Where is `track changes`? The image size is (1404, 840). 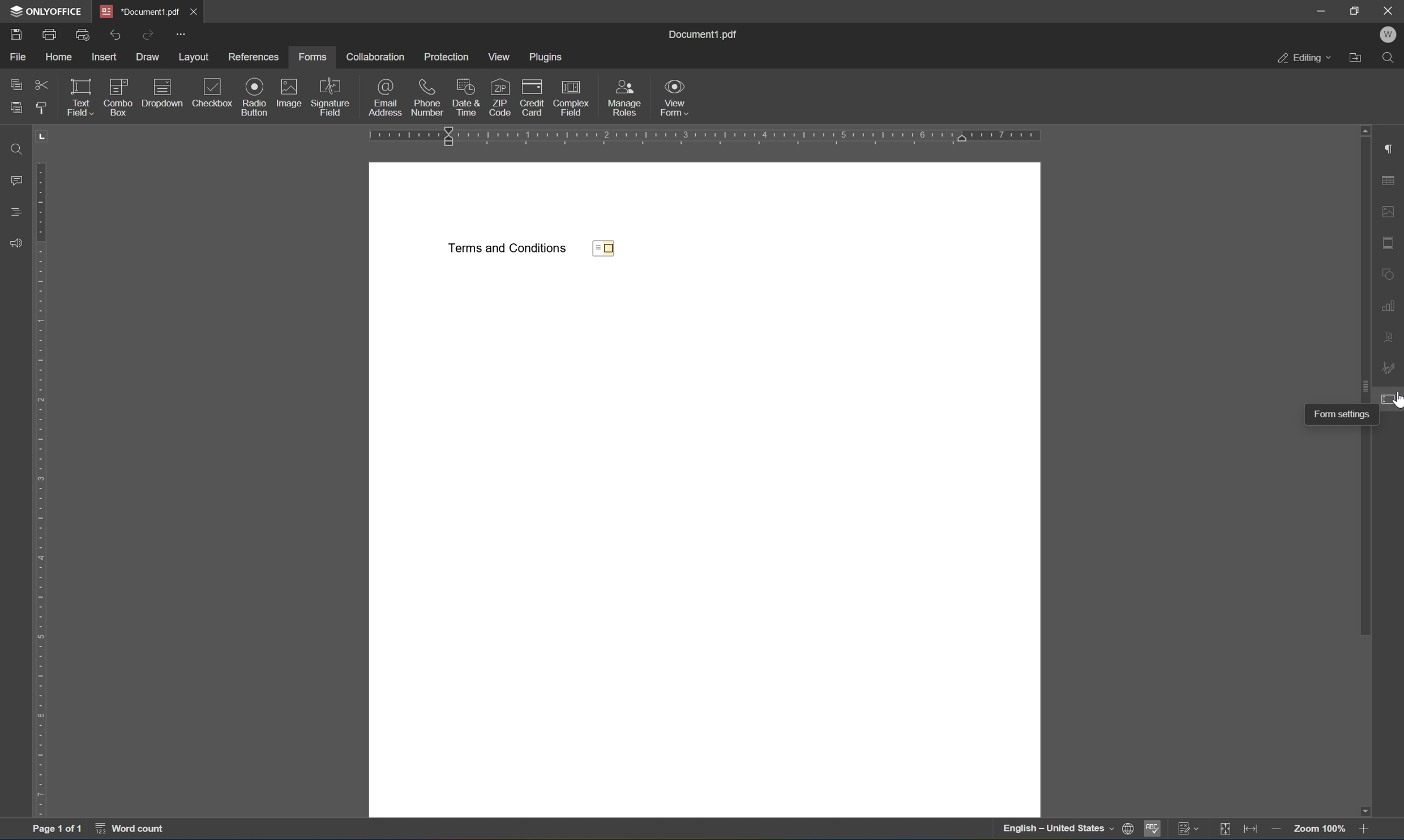
track changes is located at coordinates (1189, 830).